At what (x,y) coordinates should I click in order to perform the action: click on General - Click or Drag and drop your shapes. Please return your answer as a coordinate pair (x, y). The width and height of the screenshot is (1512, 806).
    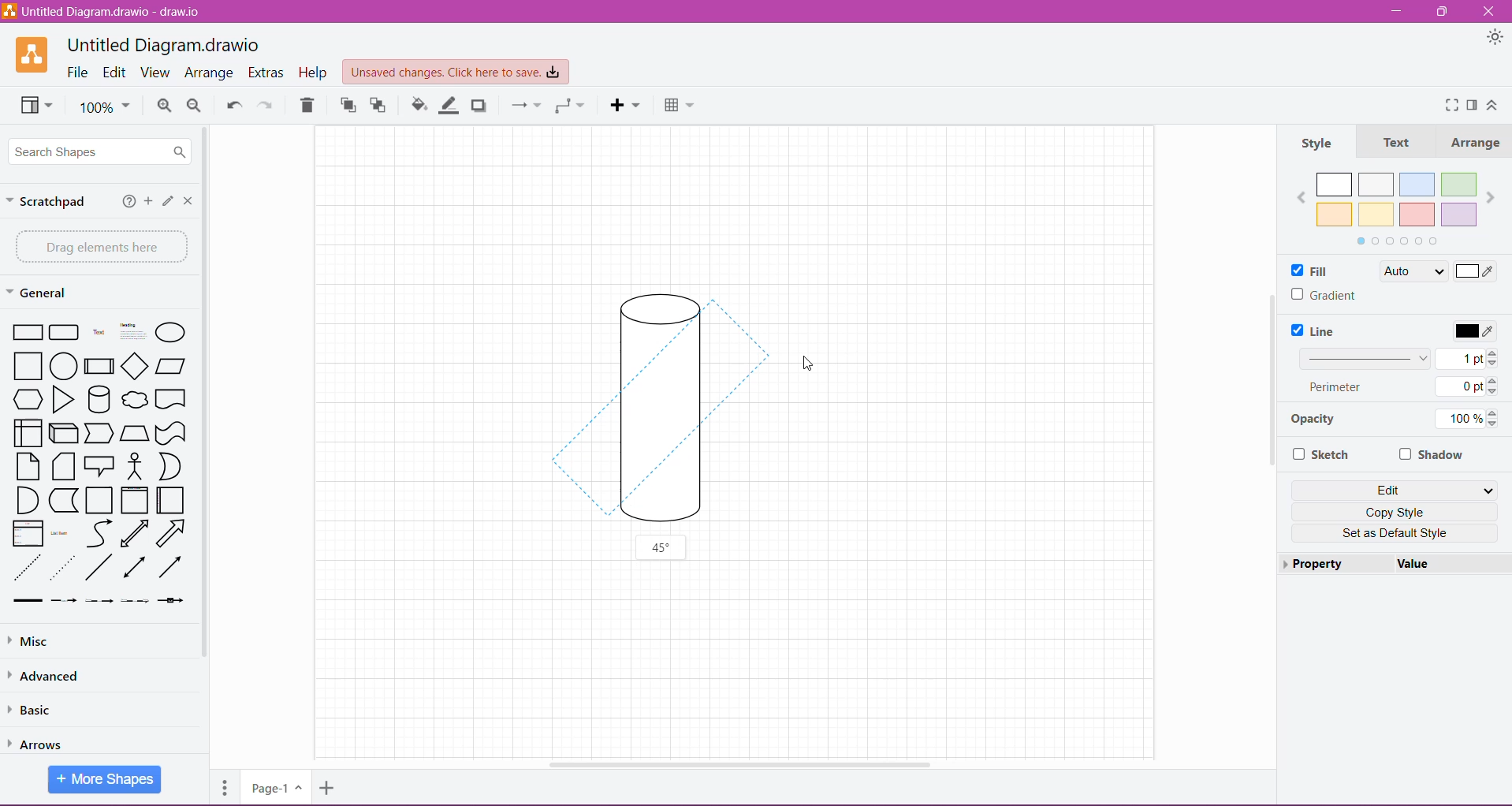
    Looking at the image, I should click on (39, 293).